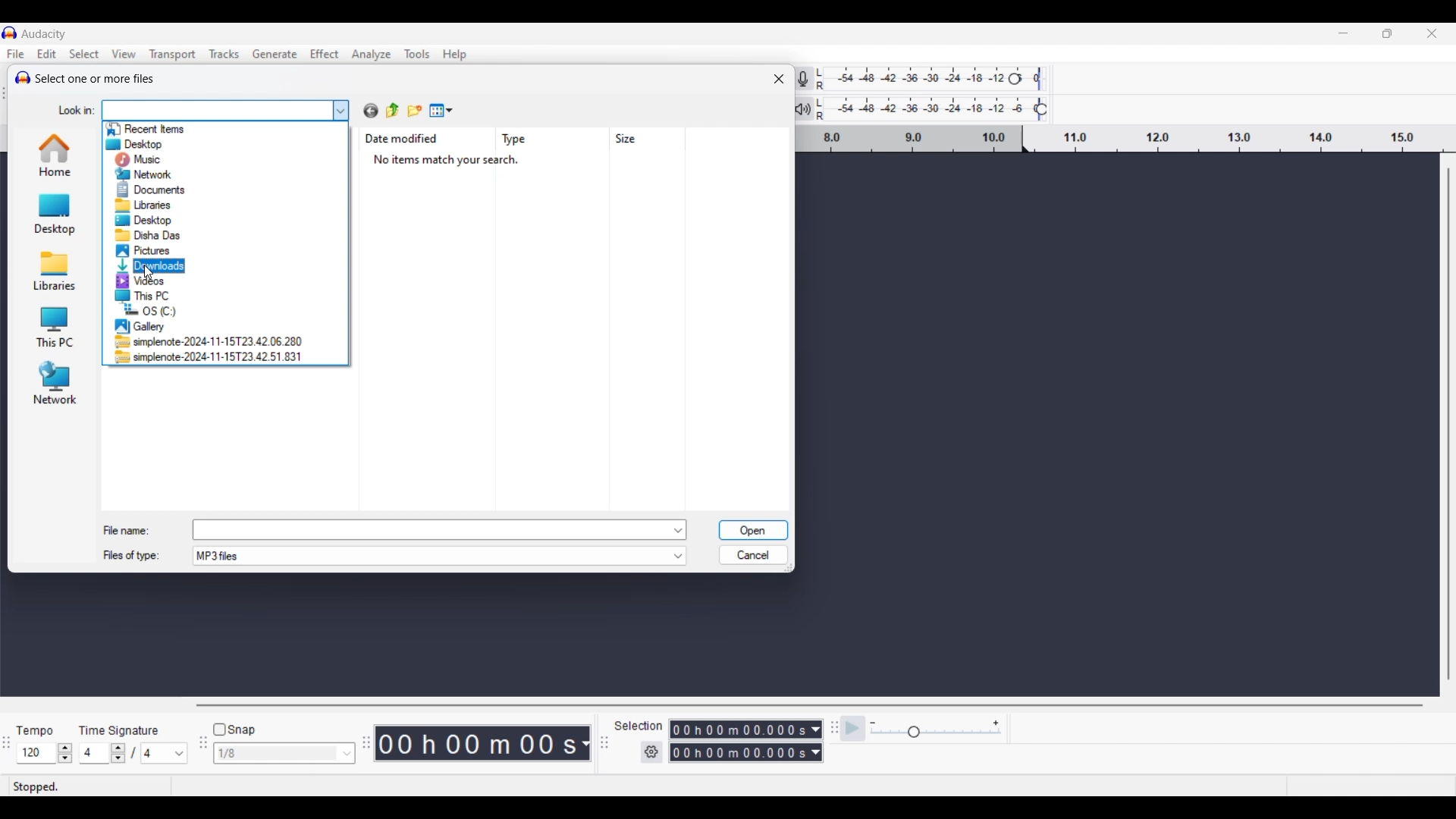 This screenshot has width=1456, height=819. I want to click on Generate menu, so click(275, 54).